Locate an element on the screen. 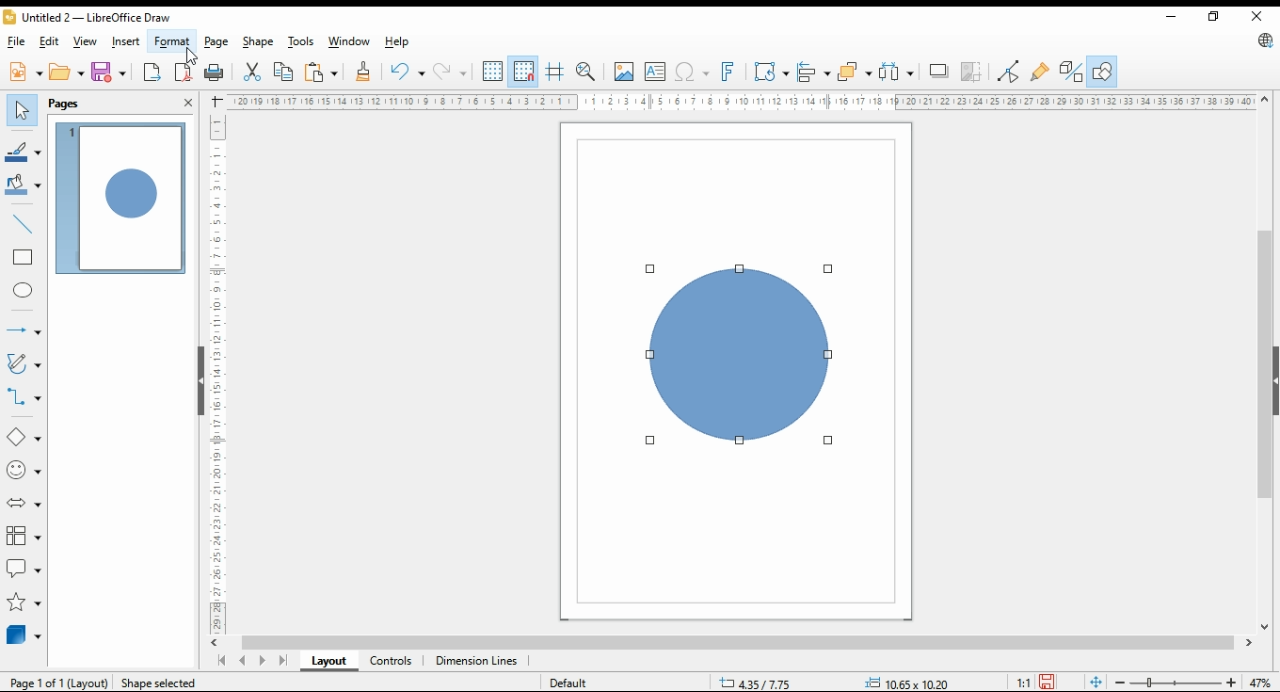  select at least three objects to distribute is located at coordinates (895, 72).